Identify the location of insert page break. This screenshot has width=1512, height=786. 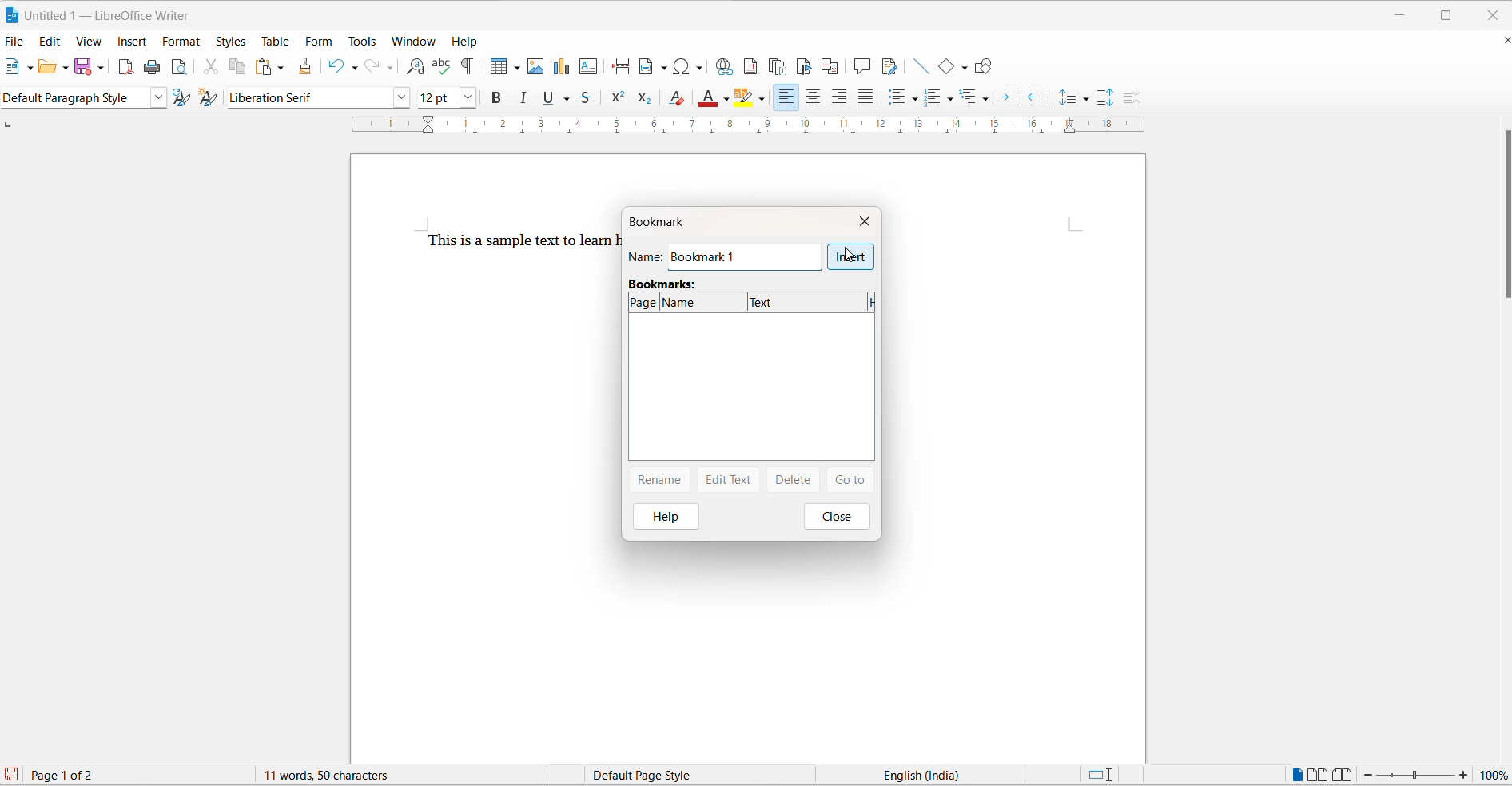
(620, 68).